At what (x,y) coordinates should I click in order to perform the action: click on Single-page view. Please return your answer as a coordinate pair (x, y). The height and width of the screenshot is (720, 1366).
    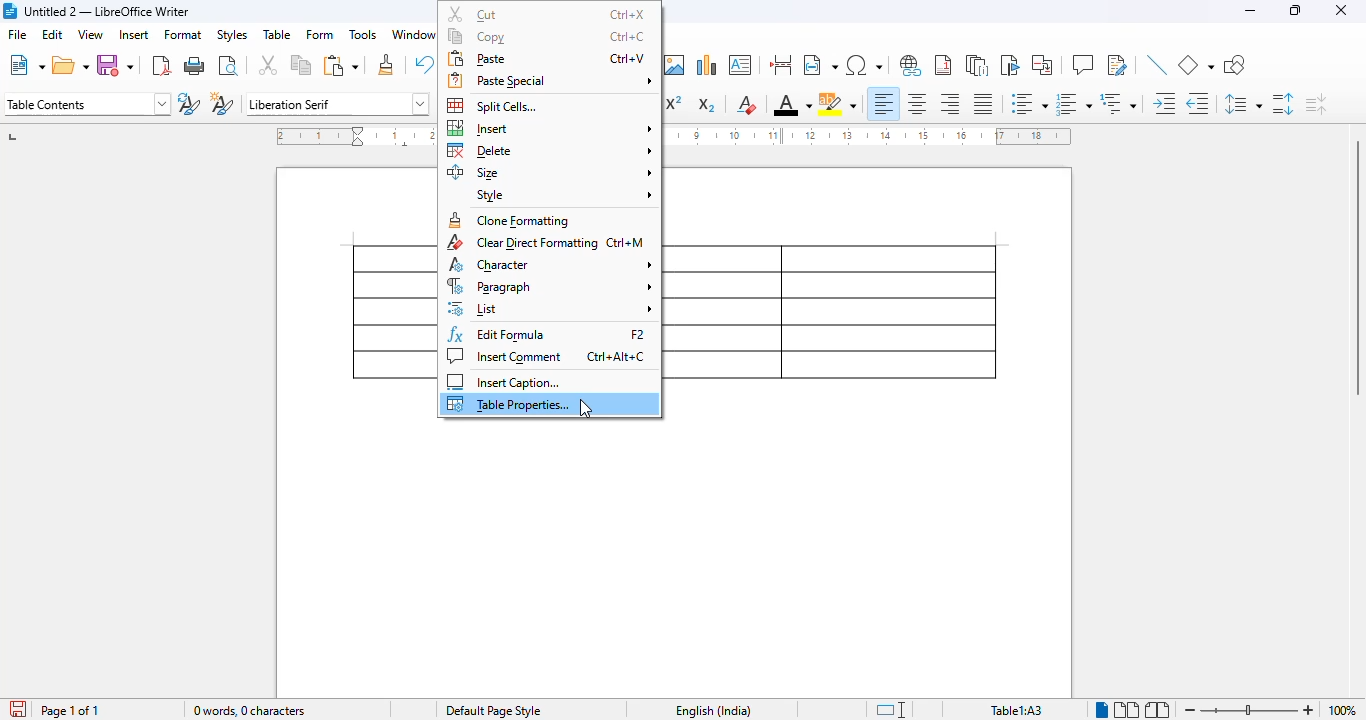
    Looking at the image, I should click on (1102, 710).